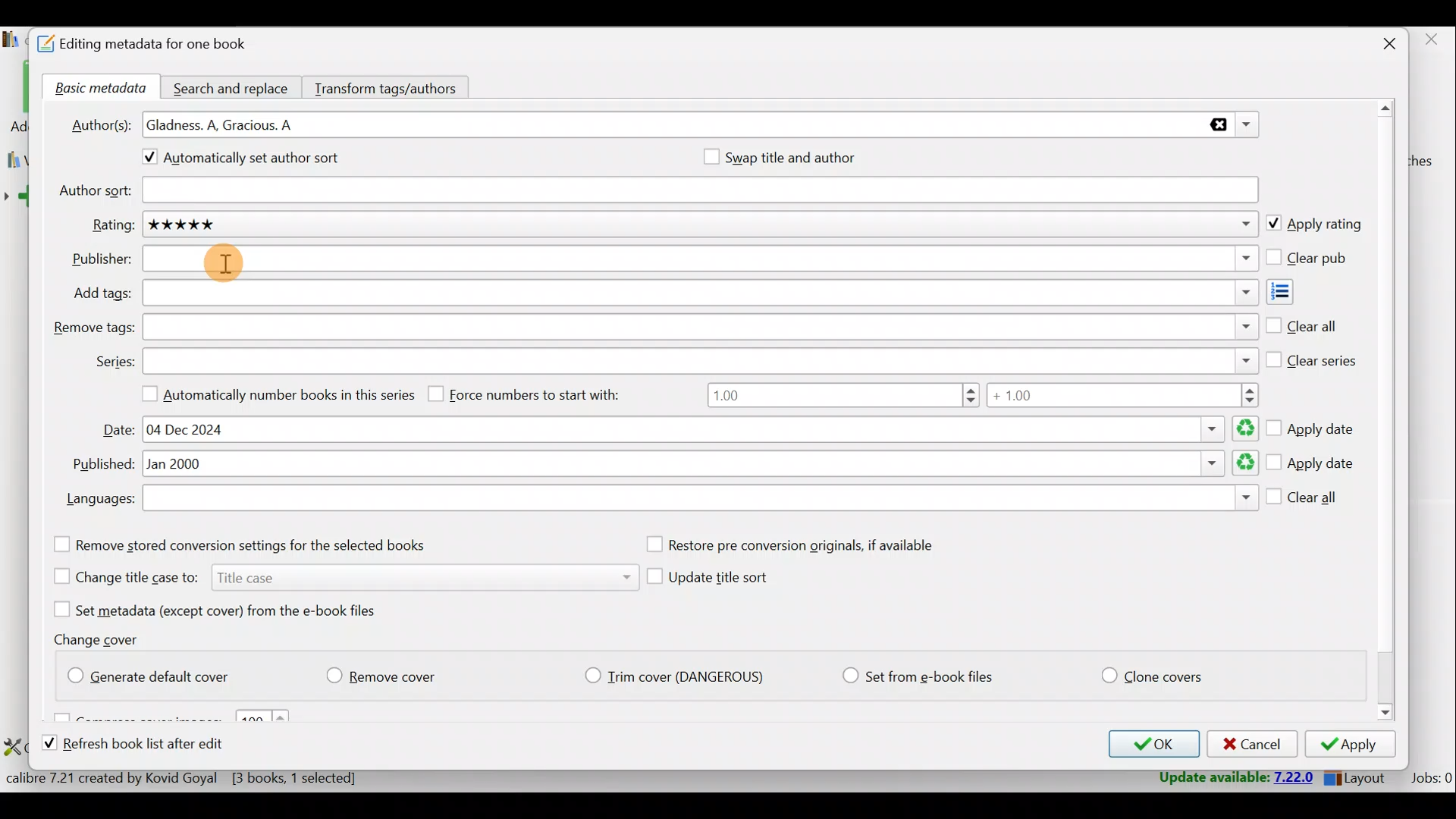  Describe the element at coordinates (1358, 775) in the screenshot. I see `Layout` at that location.